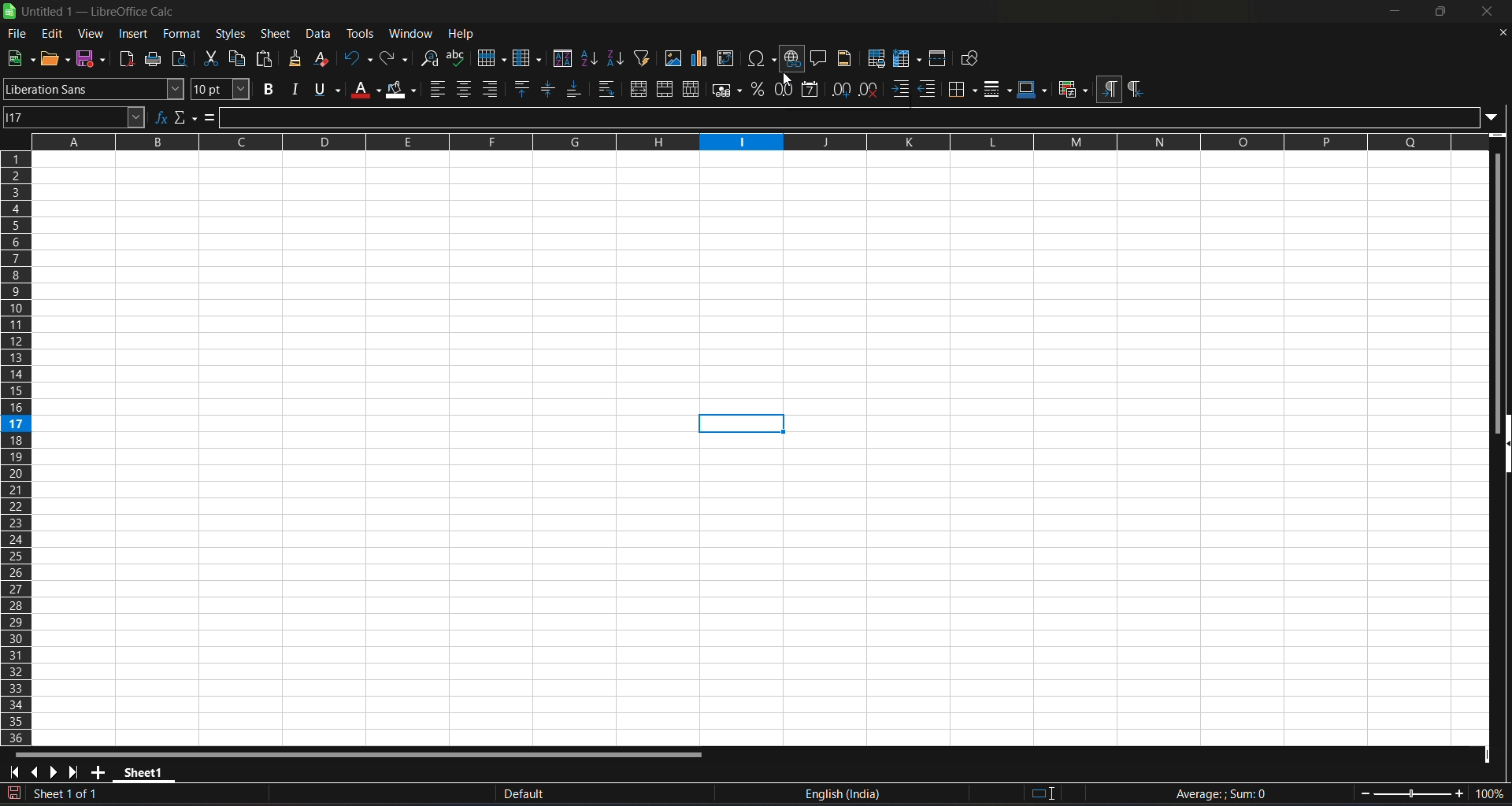 The image size is (1512, 806). What do you see at coordinates (529, 57) in the screenshot?
I see `column` at bounding box center [529, 57].